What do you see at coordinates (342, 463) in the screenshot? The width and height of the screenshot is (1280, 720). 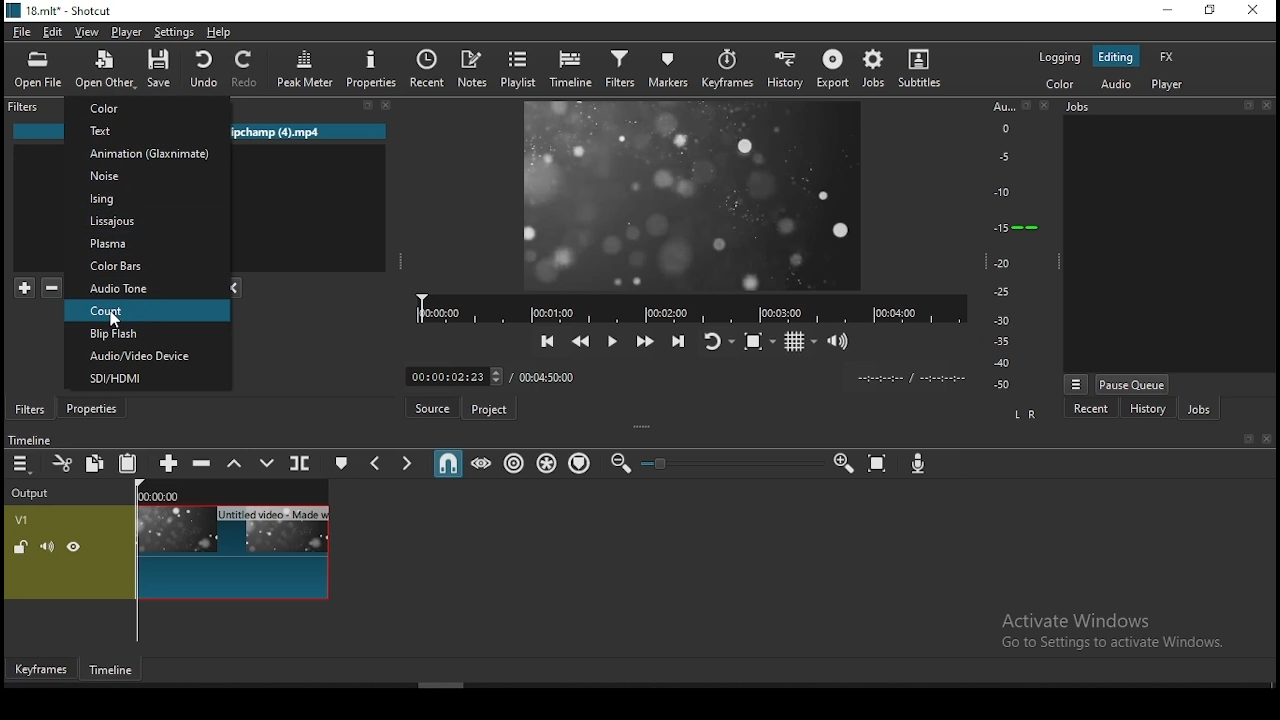 I see `create/edit marker` at bounding box center [342, 463].